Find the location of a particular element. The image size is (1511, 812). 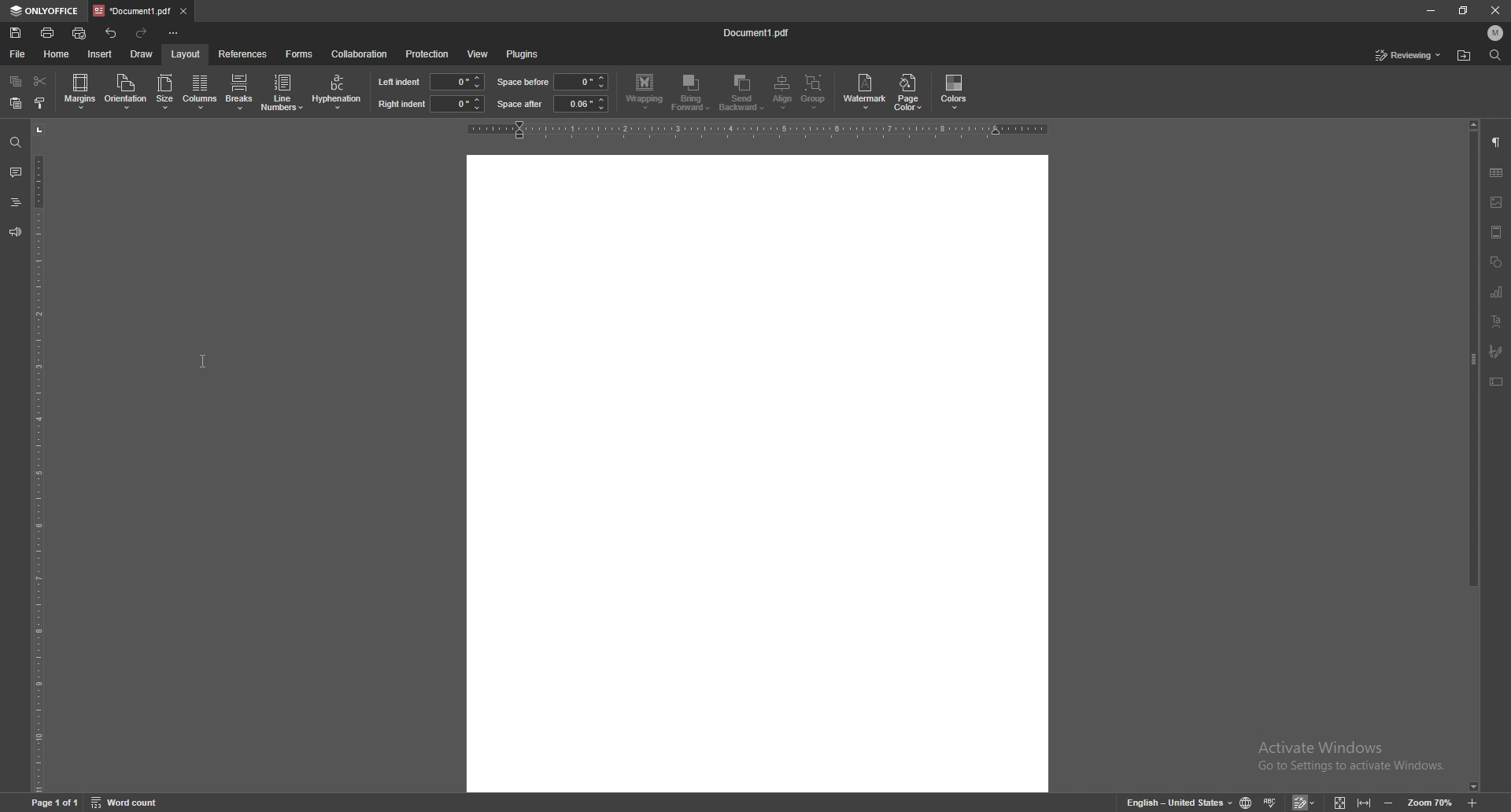

image is located at coordinates (1496, 202).